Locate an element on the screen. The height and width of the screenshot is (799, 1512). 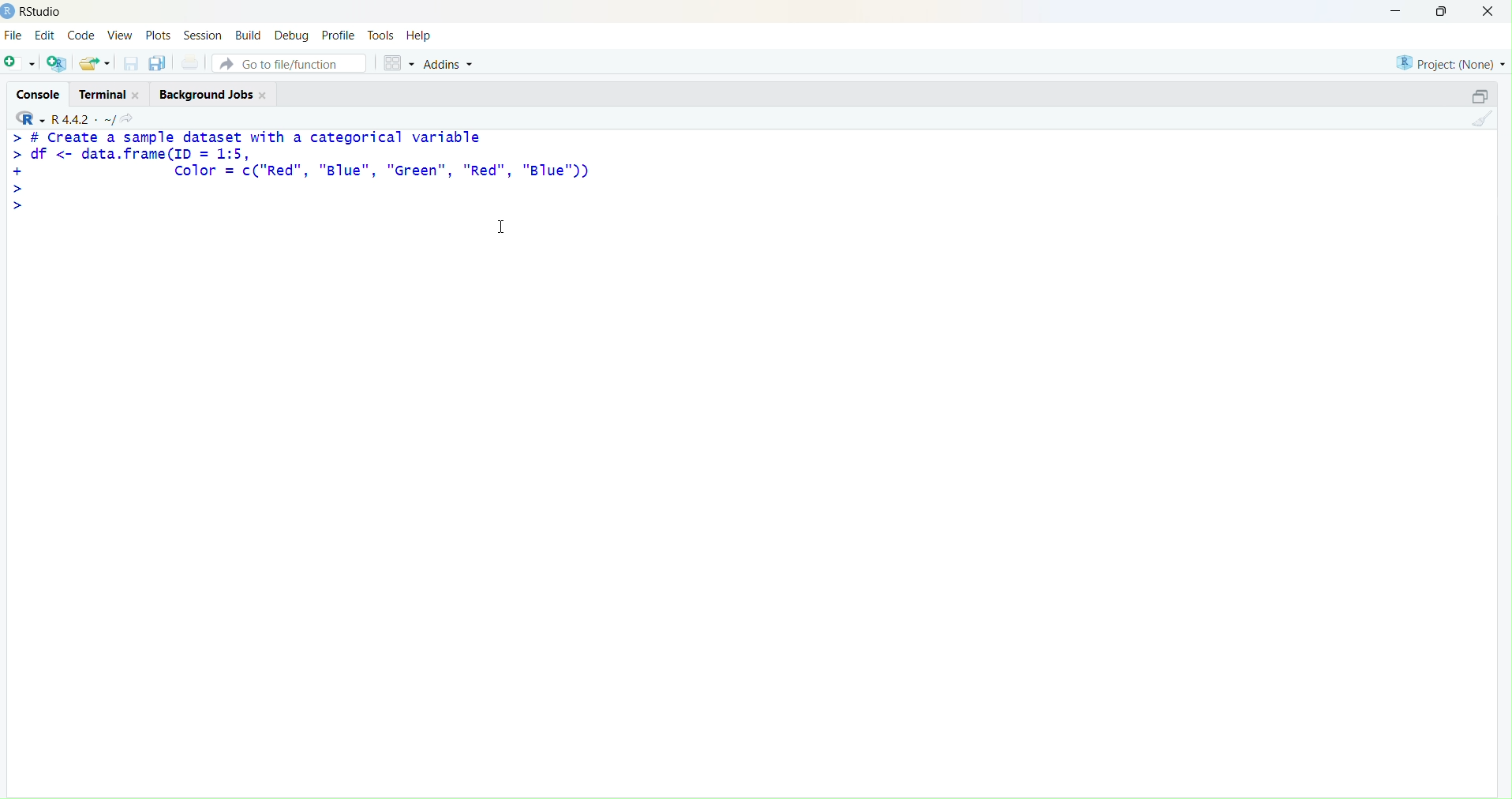
plots is located at coordinates (158, 36).